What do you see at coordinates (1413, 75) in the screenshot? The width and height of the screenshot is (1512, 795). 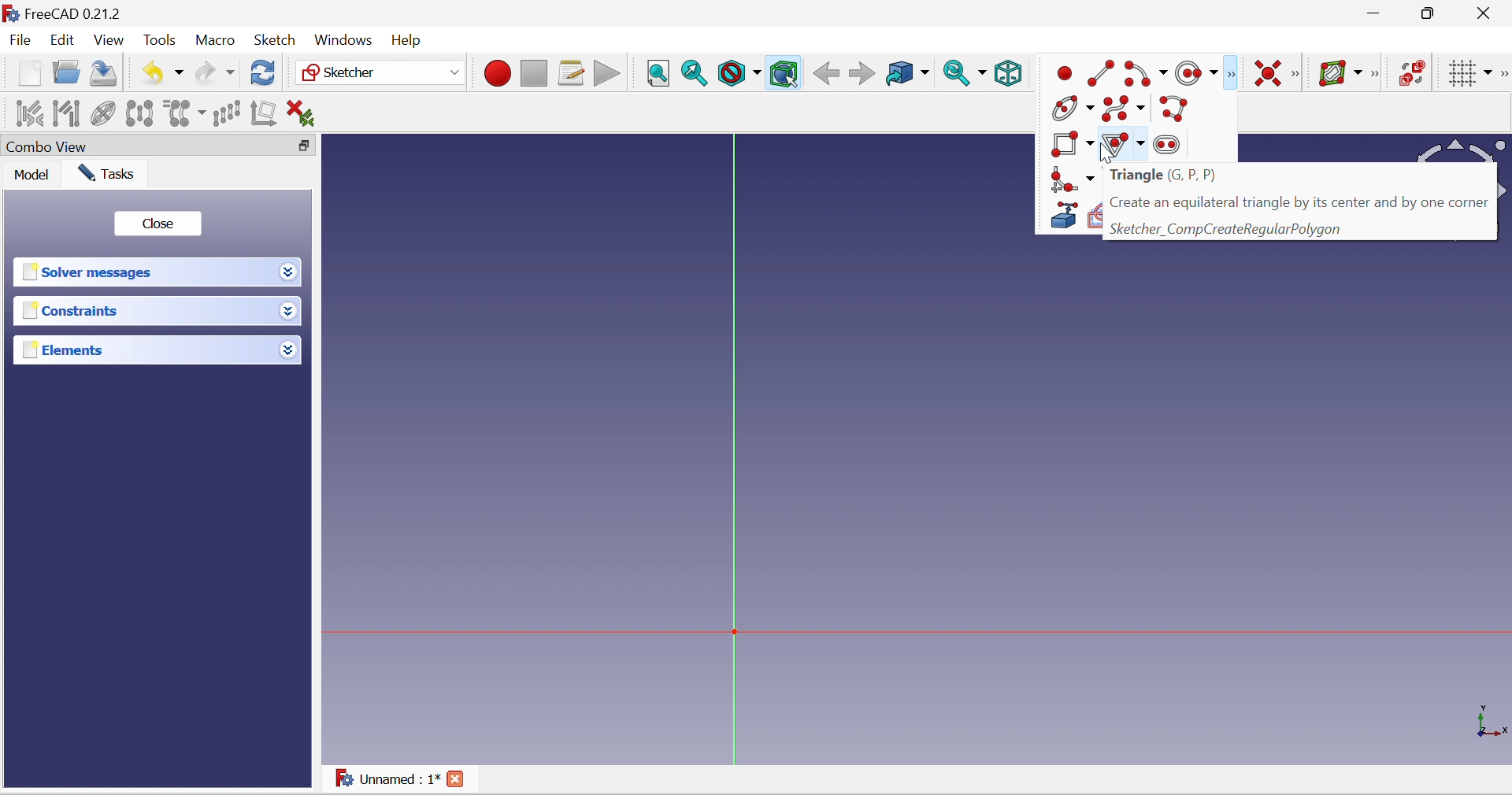 I see `Switch virtual space` at bounding box center [1413, 75].